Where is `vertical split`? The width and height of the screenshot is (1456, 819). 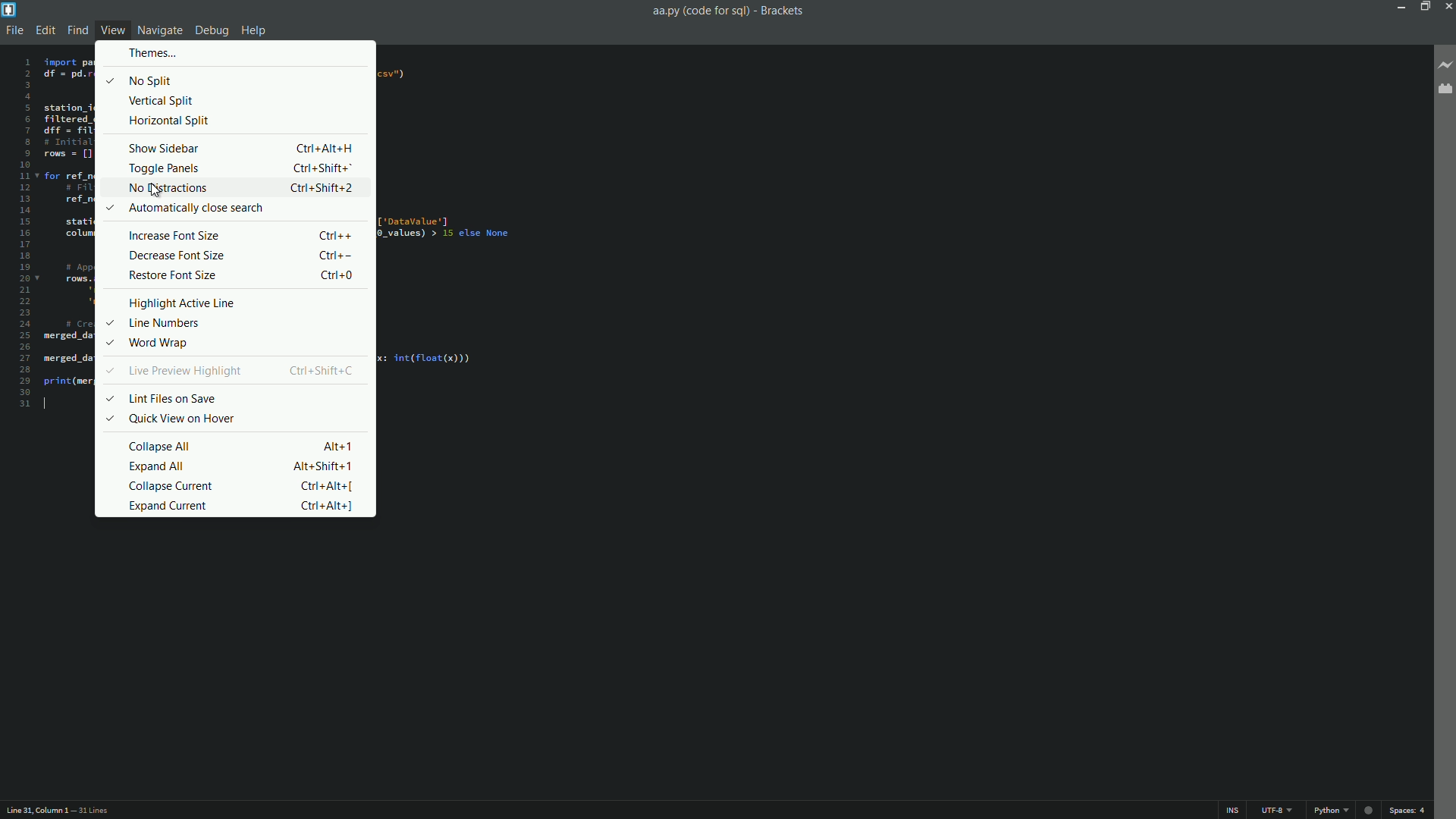 vertical split is located at coordinates (232, 101).